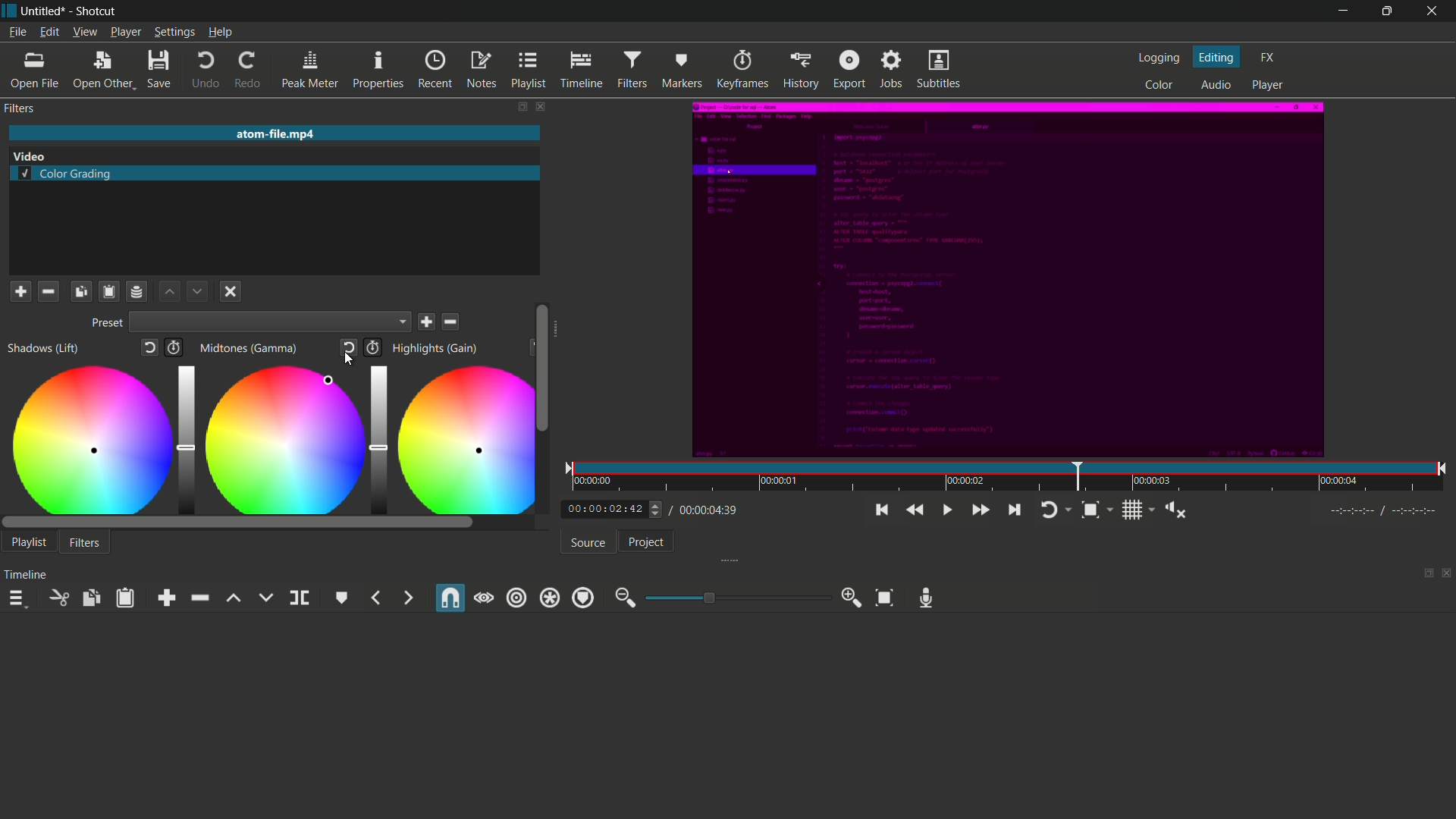 The image size is (1456, 819). What do you see at coordinates (300, 598) in the screenshot?
I see `split at playhead` at bounding box center [300, 598].